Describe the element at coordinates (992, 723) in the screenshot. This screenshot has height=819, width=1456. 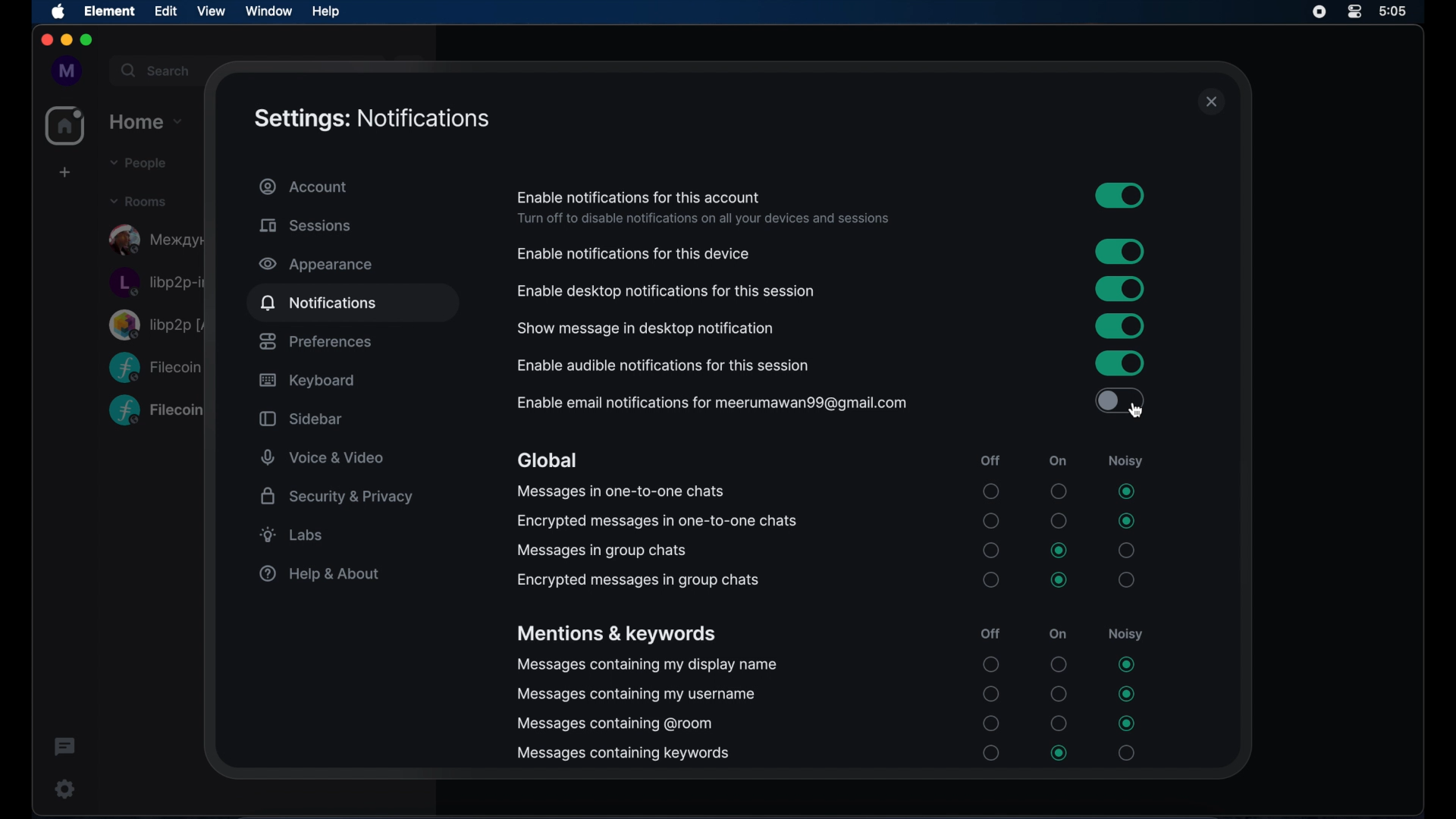
I see `radio button` at that location.